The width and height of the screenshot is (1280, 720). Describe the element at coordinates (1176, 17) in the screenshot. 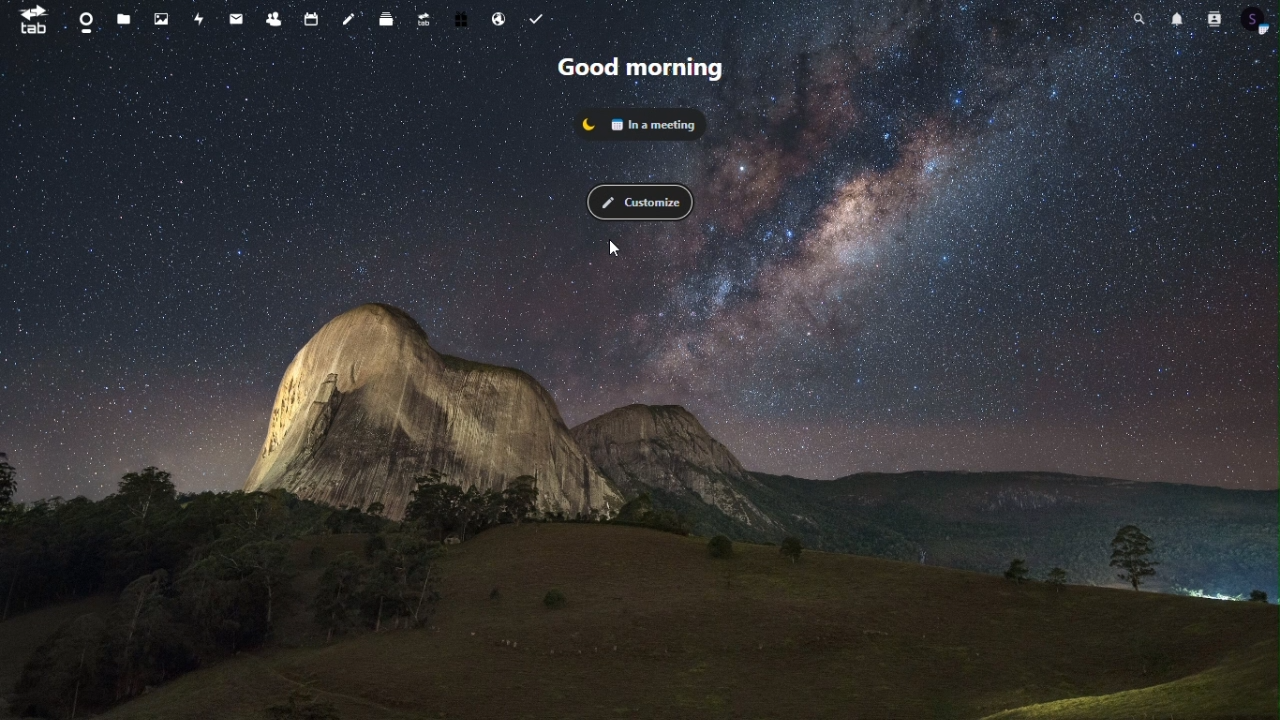

I see `notification` at that location.